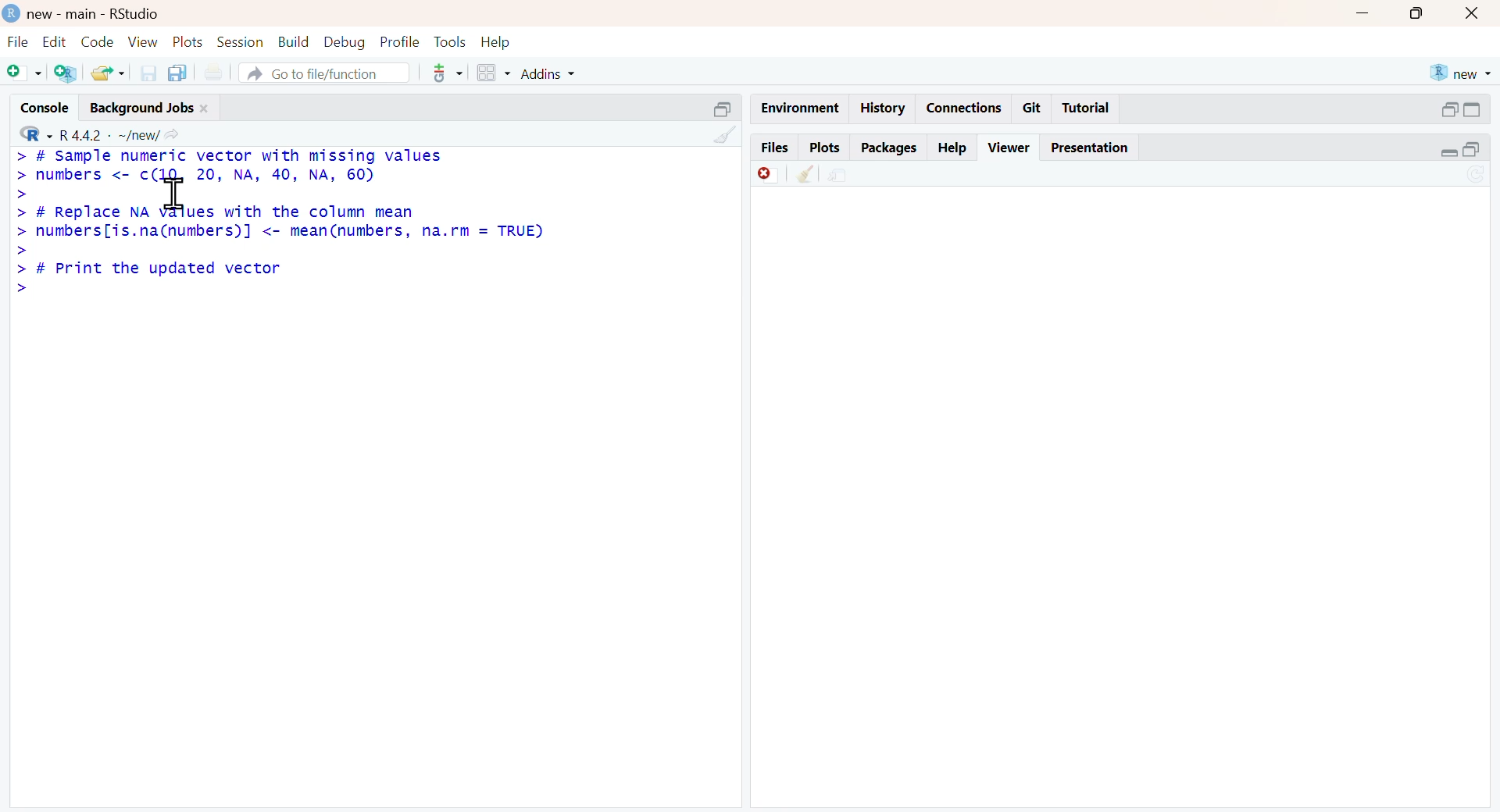 Image resolution: width=1500 pixels, height=812 pixels. I want to click on view, so click(143, 43).